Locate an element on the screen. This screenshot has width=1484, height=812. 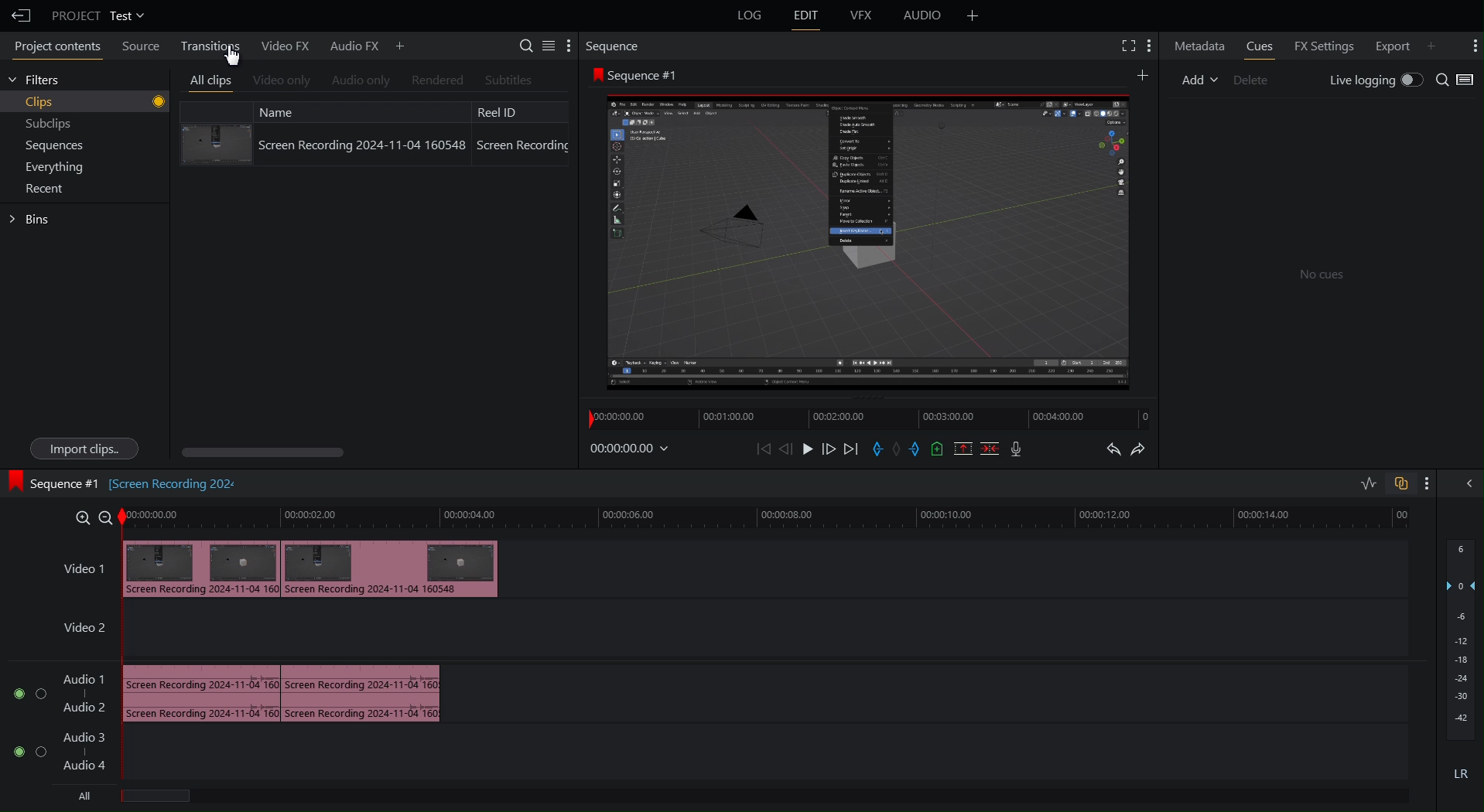
Clips is located at coordinates (86, 104).